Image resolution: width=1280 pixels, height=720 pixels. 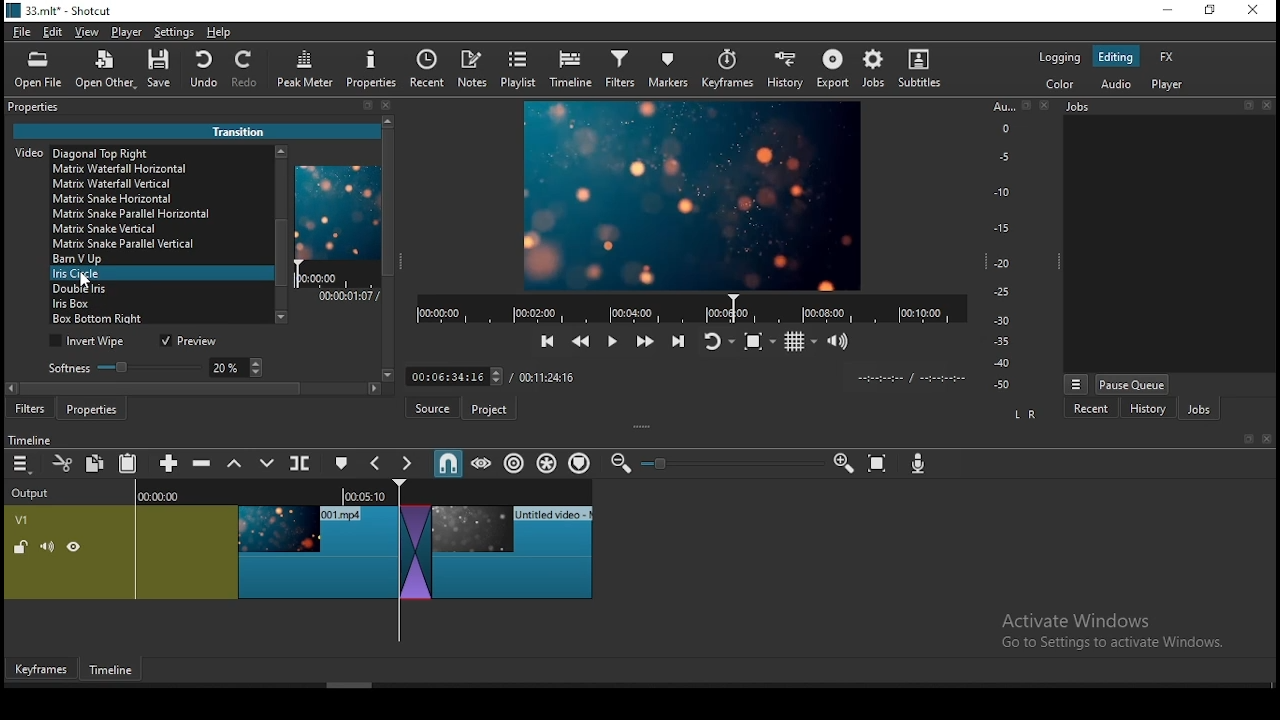 What do you see at coordinates (874, 68) in the screenshot?
I see `jobs` at bounding box center [874, 68].